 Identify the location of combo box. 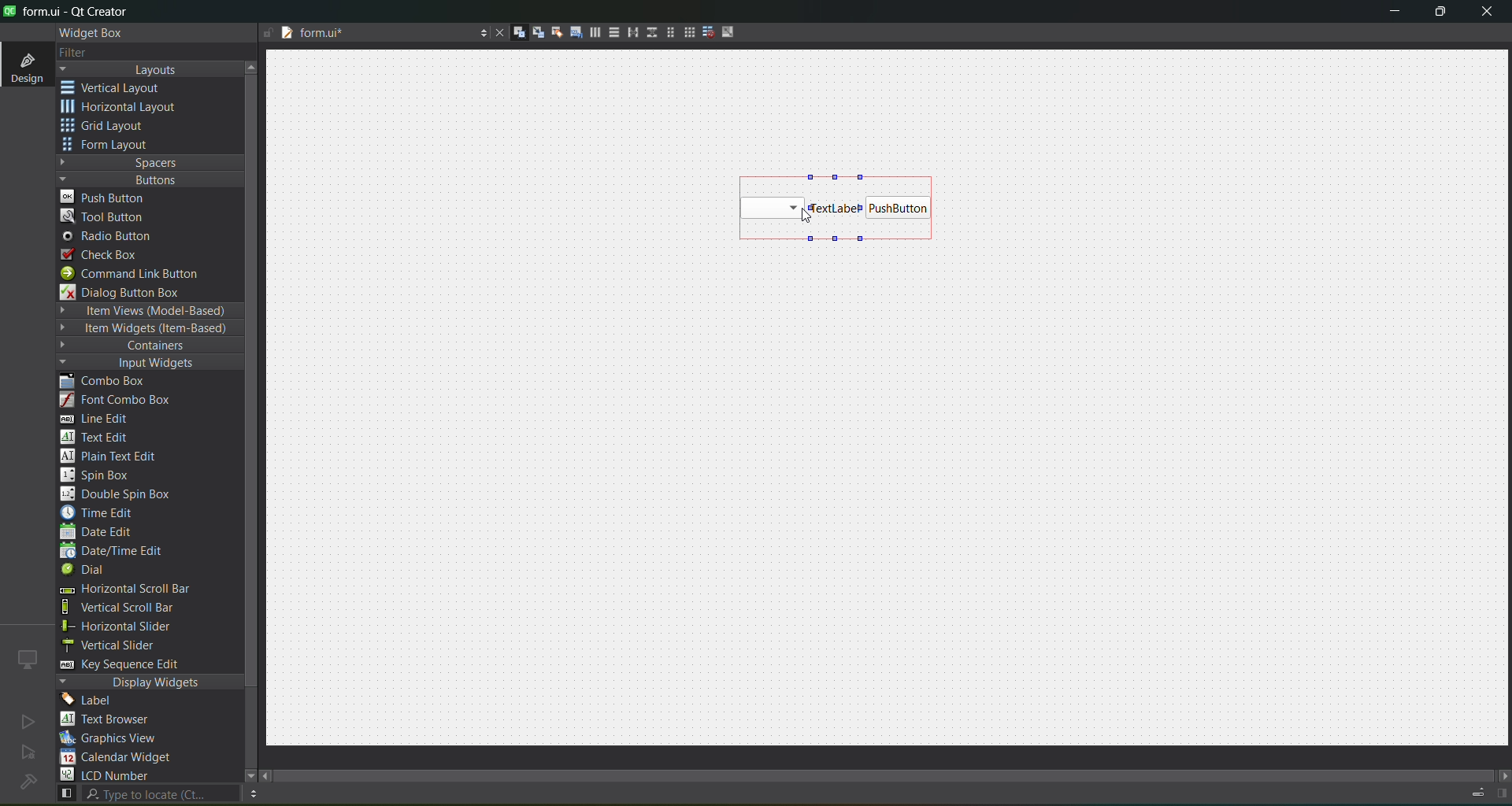
(114, 382).